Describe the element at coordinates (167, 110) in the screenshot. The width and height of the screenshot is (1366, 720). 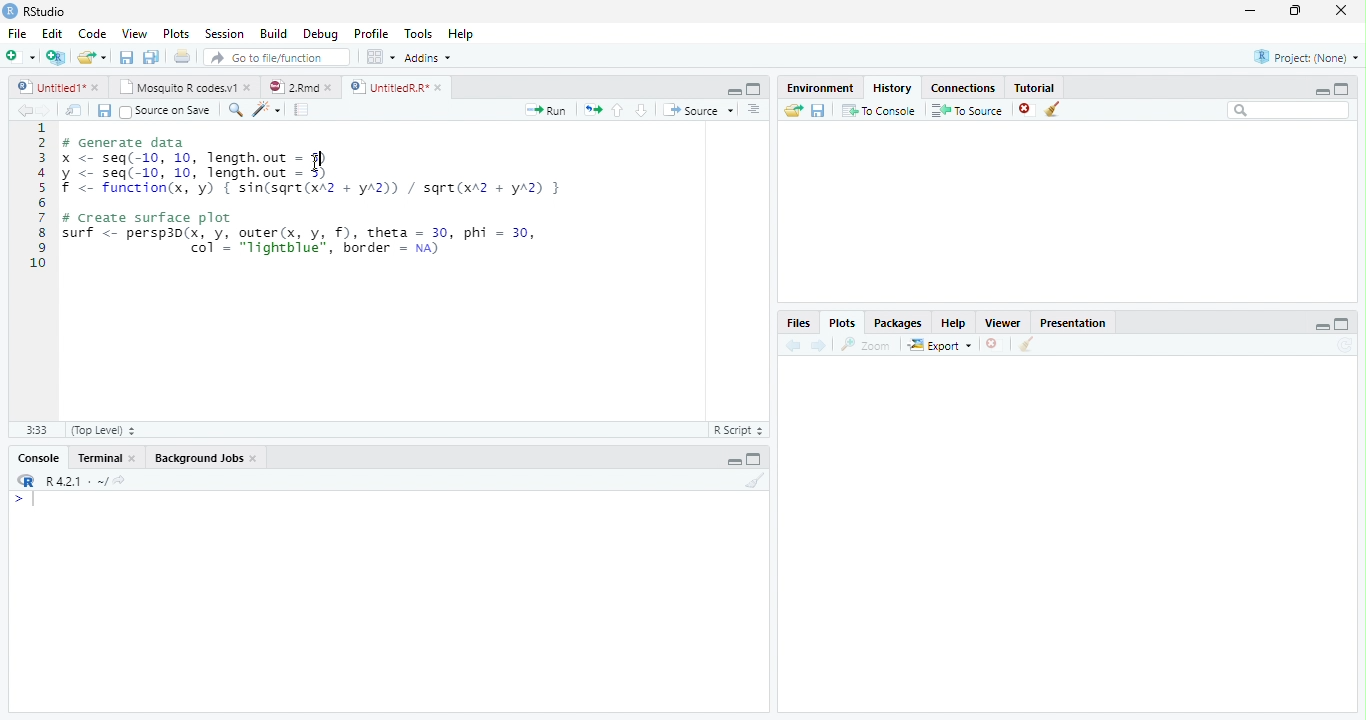
I see `Source on Save` at that location.